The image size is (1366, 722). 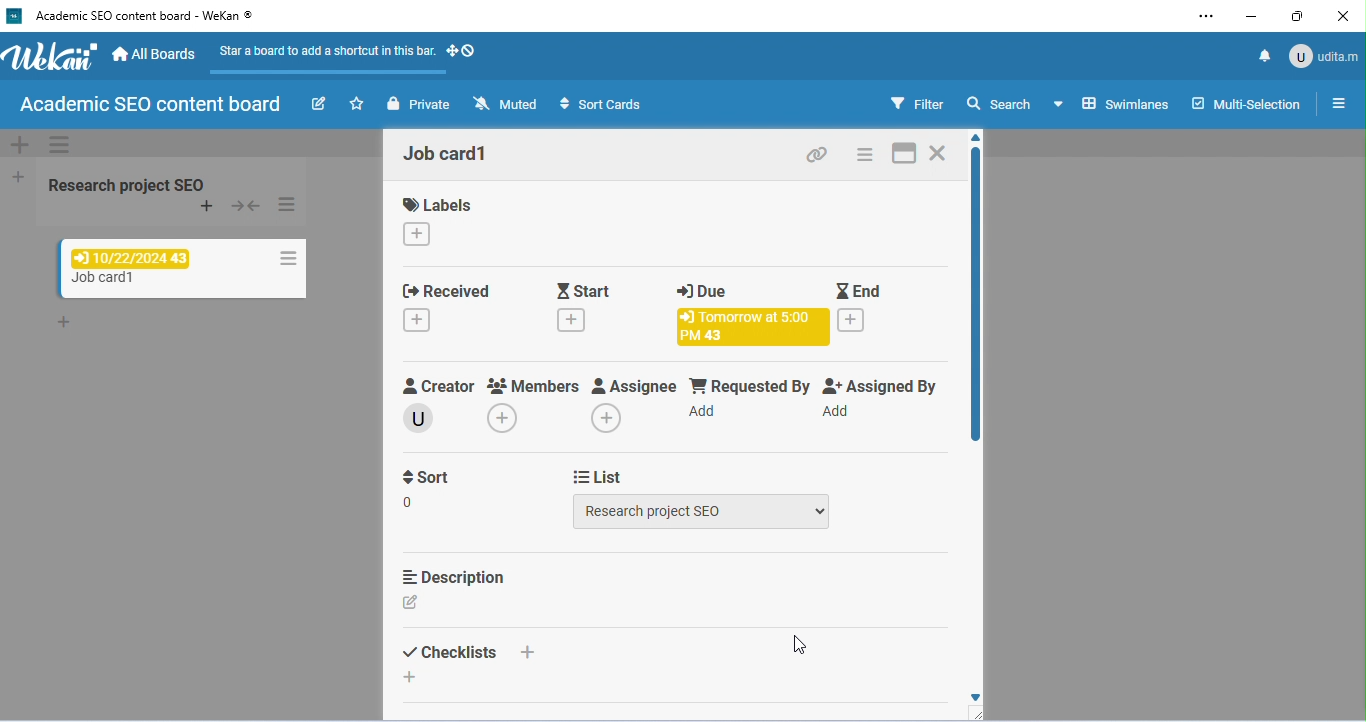 I want to click on end, so click(x=858, y=290).